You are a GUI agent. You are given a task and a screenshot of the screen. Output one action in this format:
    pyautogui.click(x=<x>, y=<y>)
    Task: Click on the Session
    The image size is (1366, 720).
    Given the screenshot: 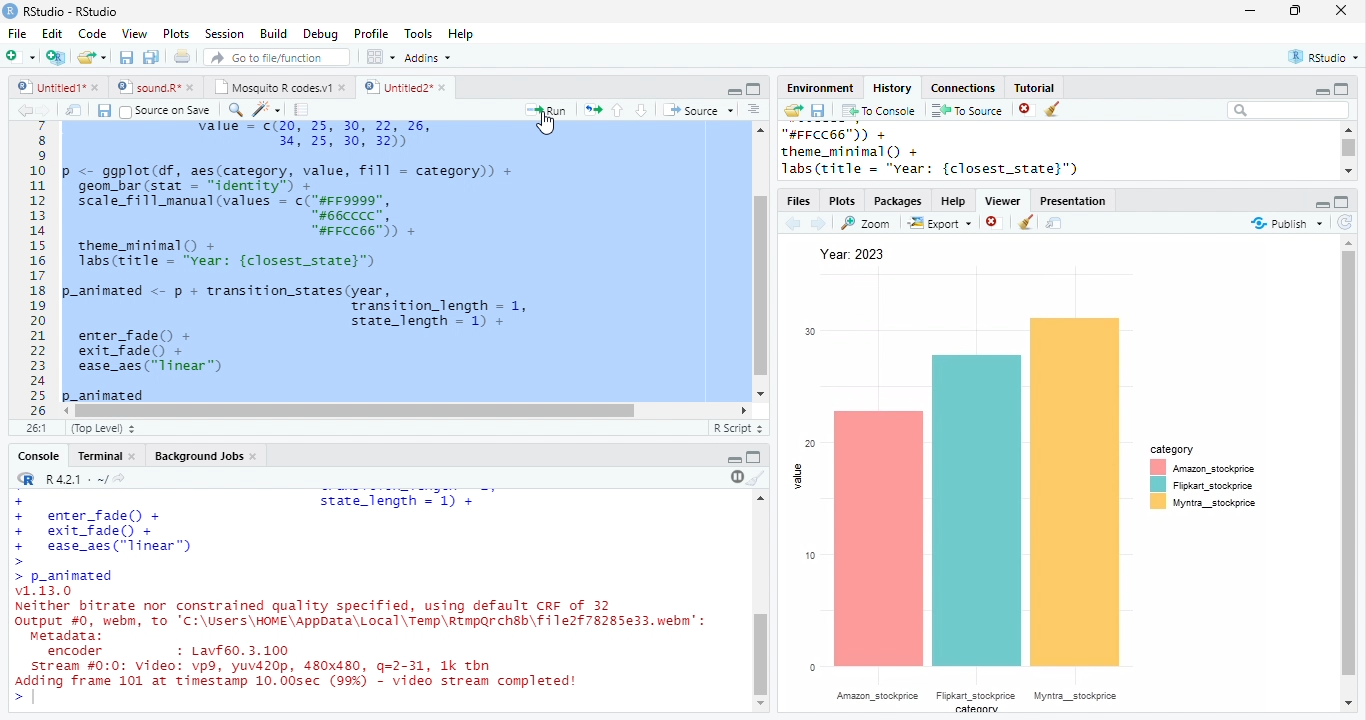 What is the action you would take?
    pyautogui.click(x=223, y=34)
    